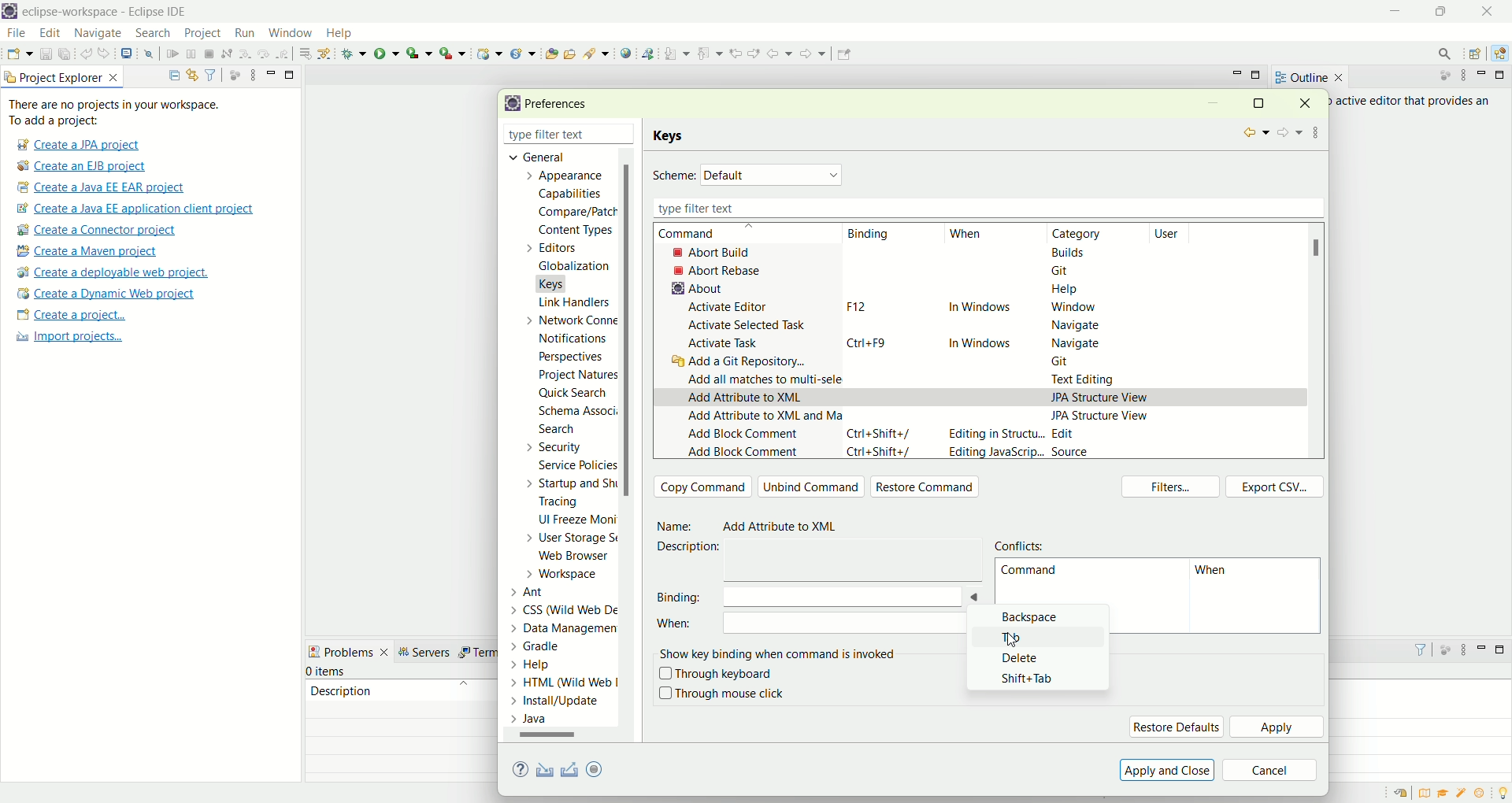 The height and width of the screenshot is (803, 1512). I want to click on back, so click(1254, 133).